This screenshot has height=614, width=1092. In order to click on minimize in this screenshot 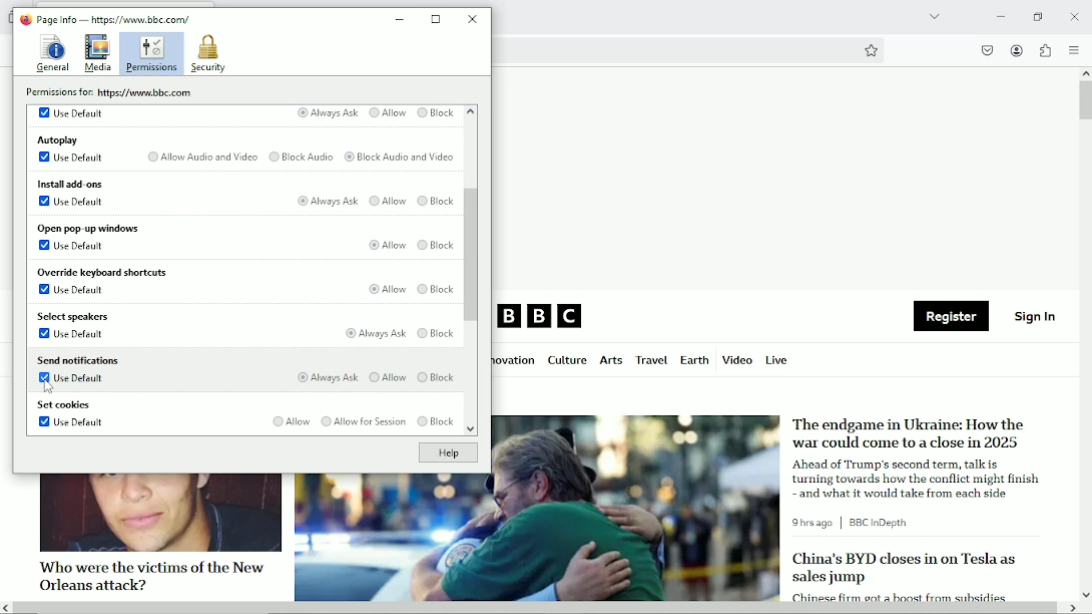, I will do `click(400, 20)`.